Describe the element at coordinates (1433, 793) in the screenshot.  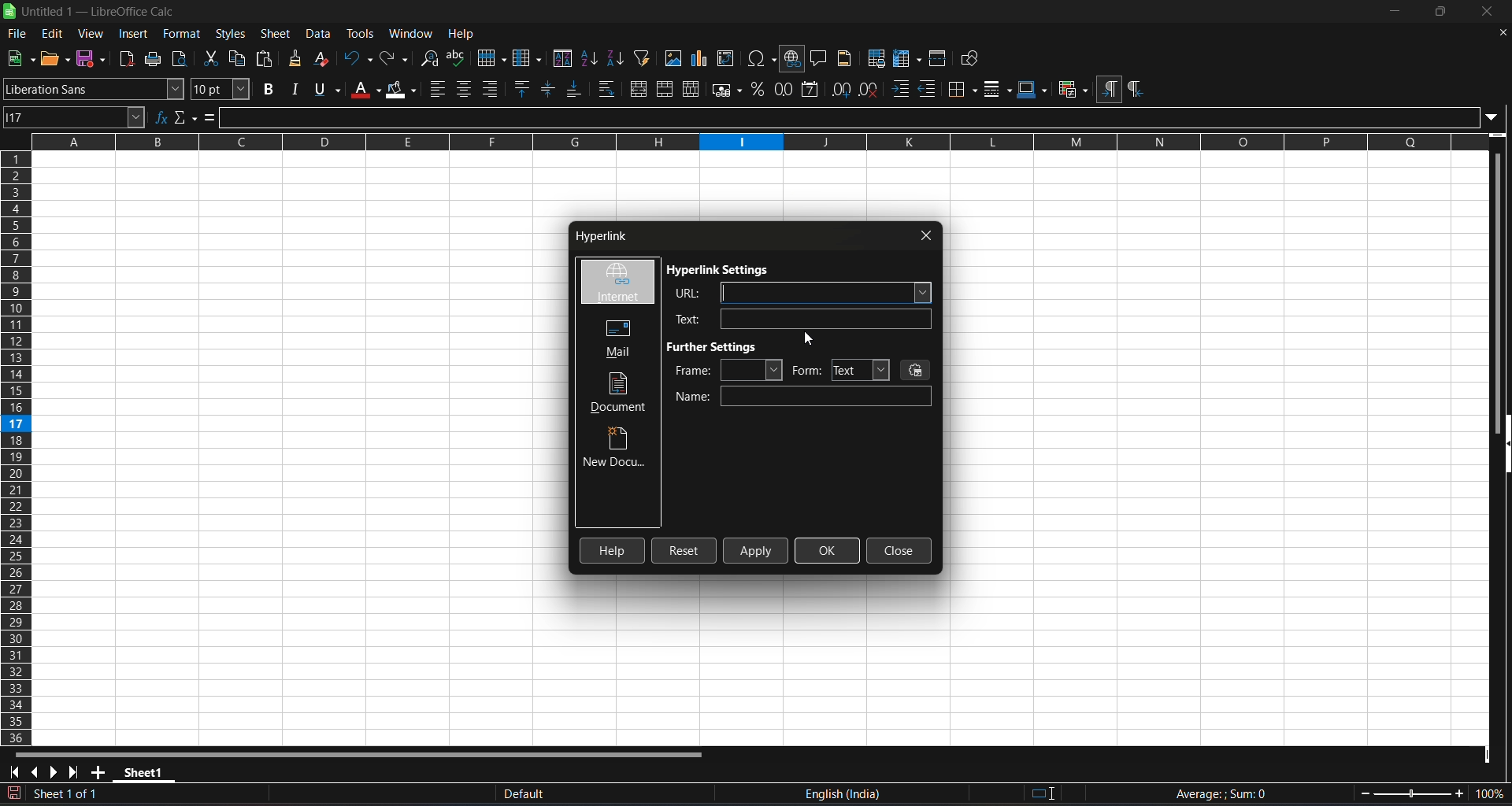
I see `zoom factor` at that location.